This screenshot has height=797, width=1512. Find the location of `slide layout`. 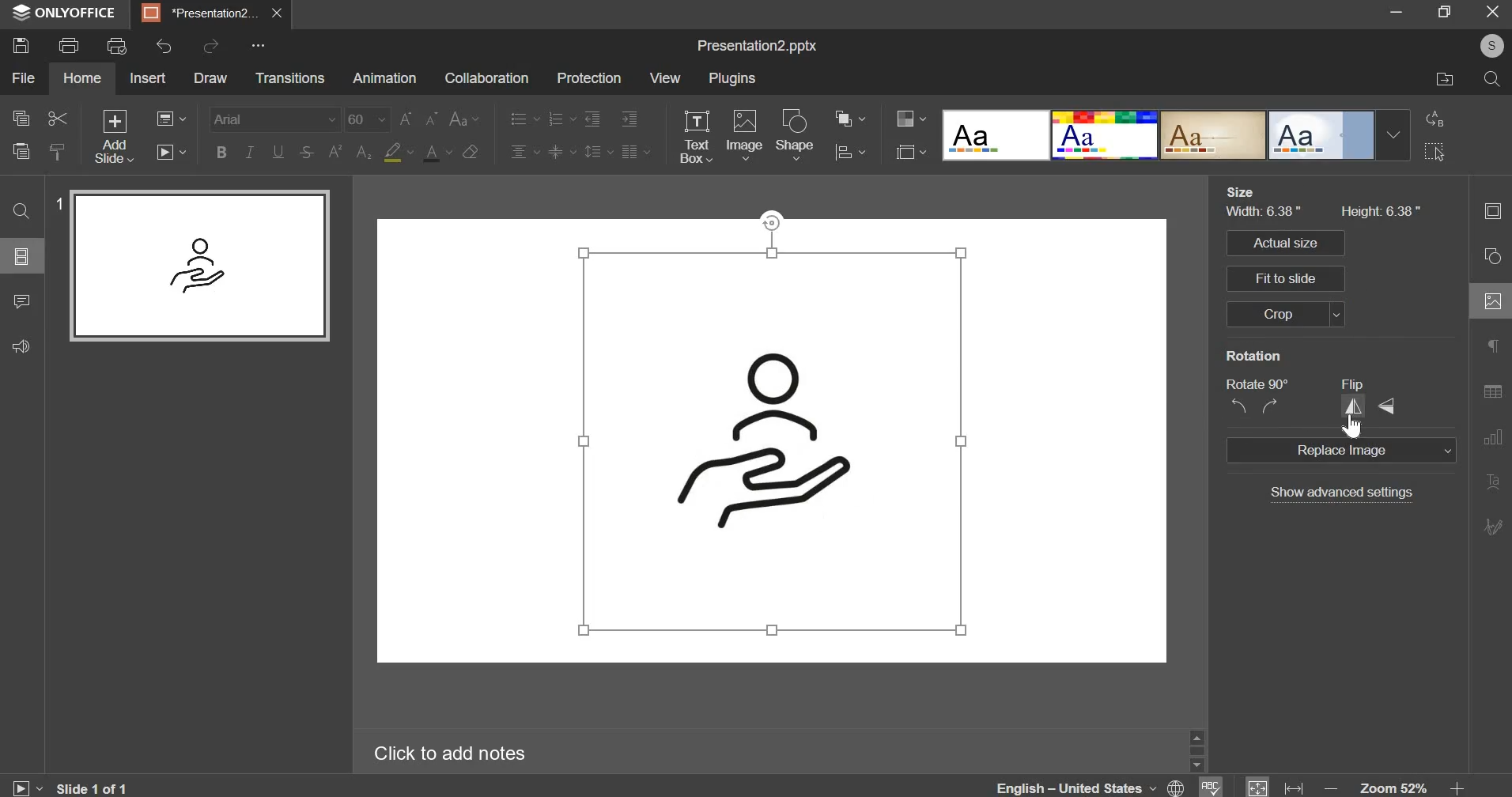

slide layout is located at coordinates (22, 255).